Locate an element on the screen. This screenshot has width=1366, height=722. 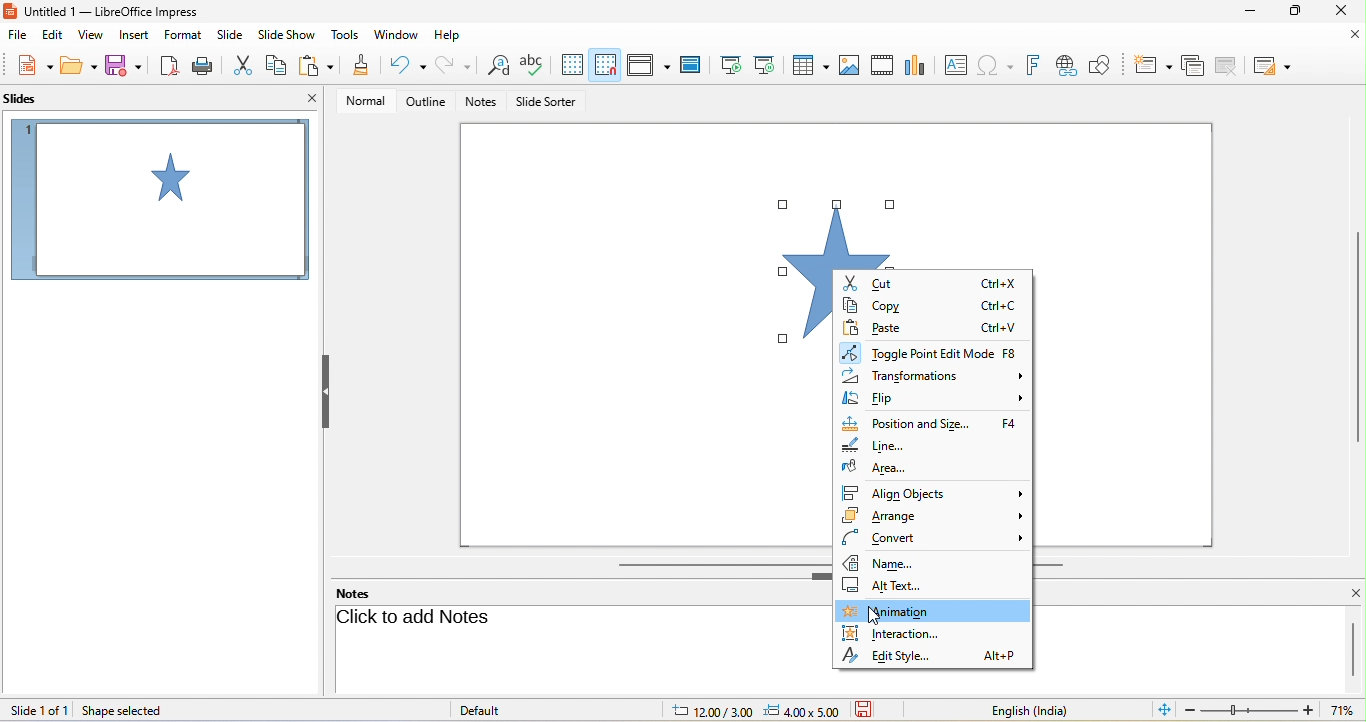
current zoom is located at coordinates (1342, 710).